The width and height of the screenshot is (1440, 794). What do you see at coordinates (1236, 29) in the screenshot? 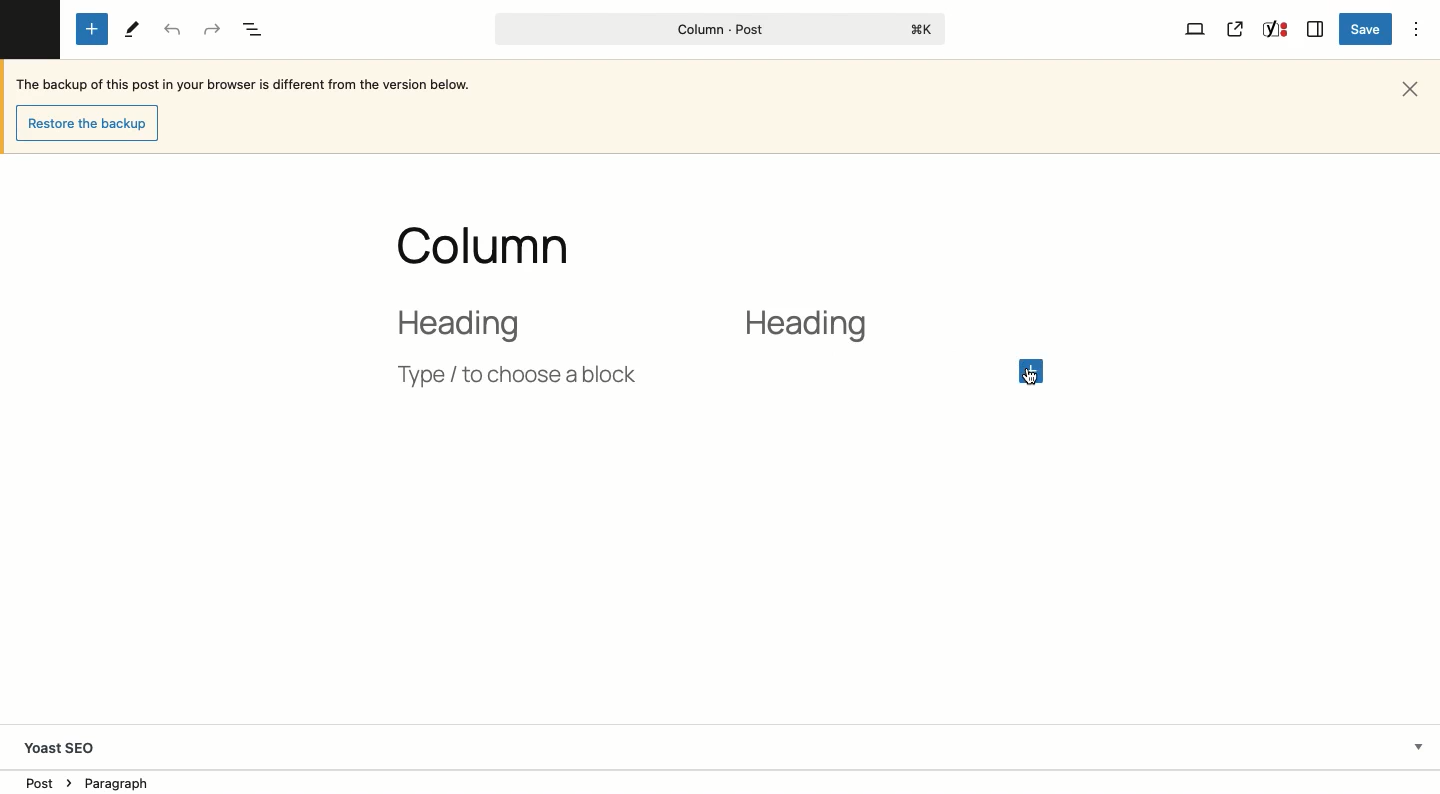
I see `View post` at bounding box center [1236, 29].